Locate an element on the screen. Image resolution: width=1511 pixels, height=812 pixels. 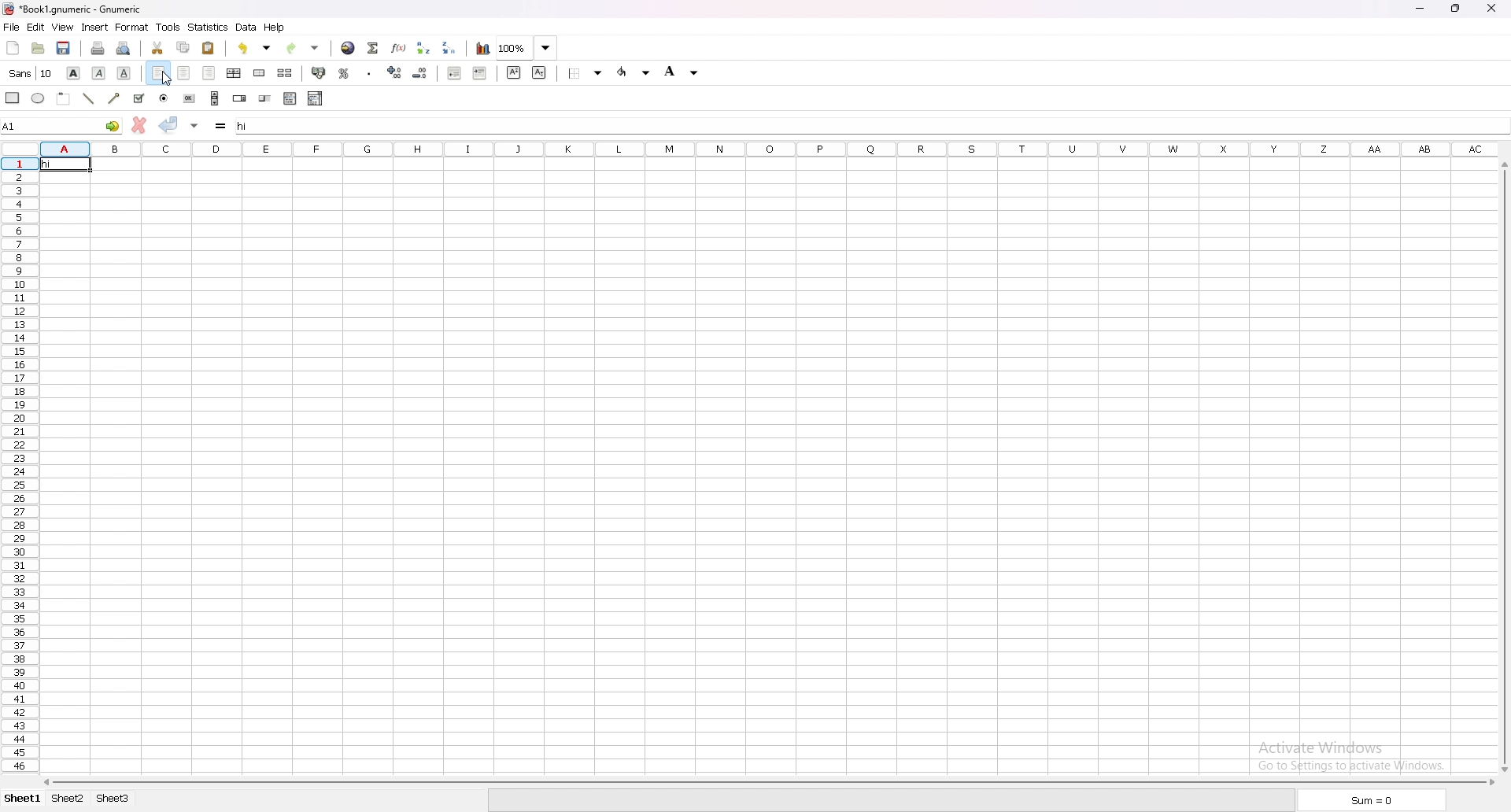
accept changes in all cell is located at coordinates (194, 127).